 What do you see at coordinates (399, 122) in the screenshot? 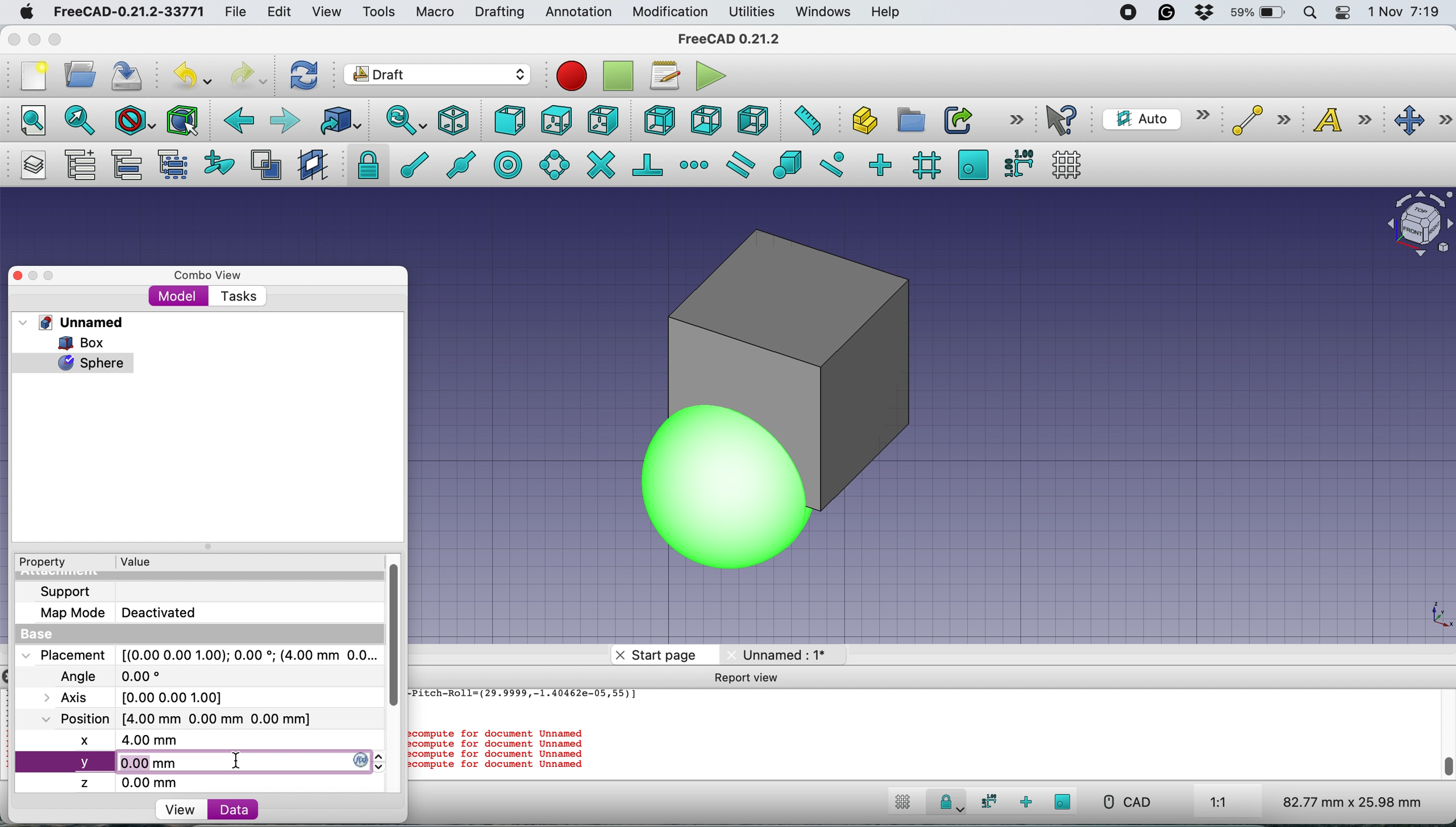
I see `sync view` at bounding box center [399, 122].